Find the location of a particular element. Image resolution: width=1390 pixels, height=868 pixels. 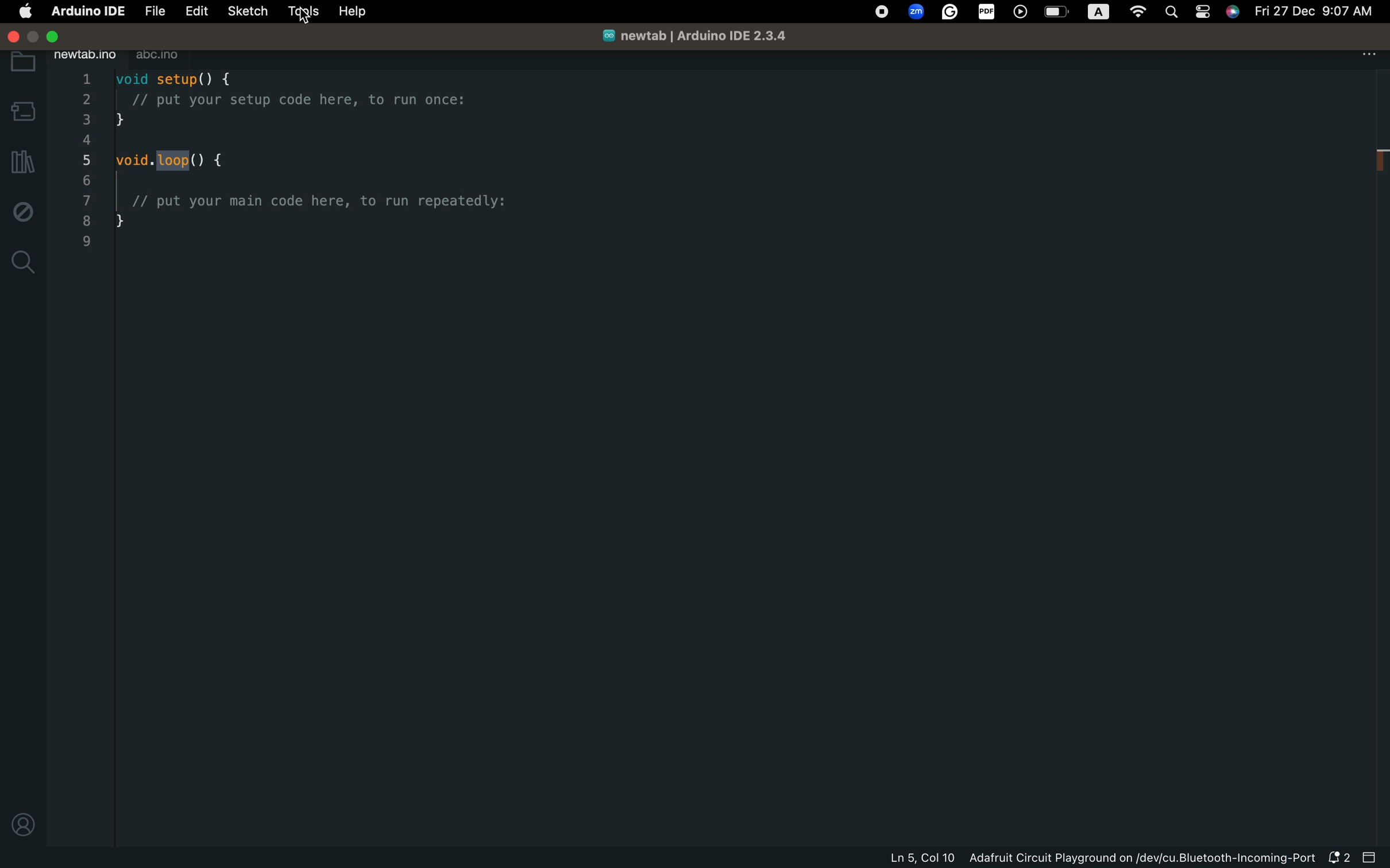

file setting is located at coordinates (1367, 54).